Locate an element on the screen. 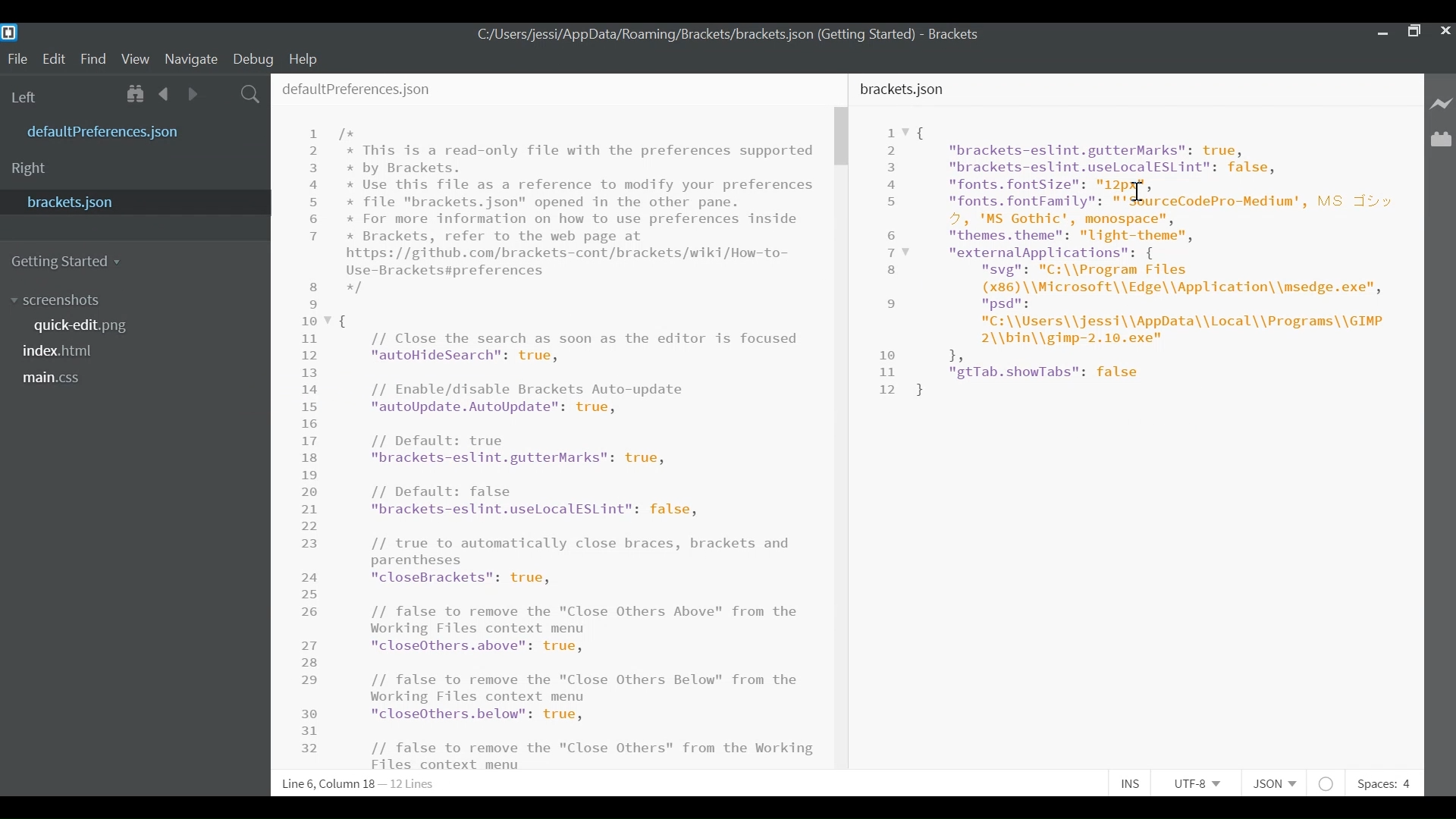  Restore is located at coordinates (1414, 32).